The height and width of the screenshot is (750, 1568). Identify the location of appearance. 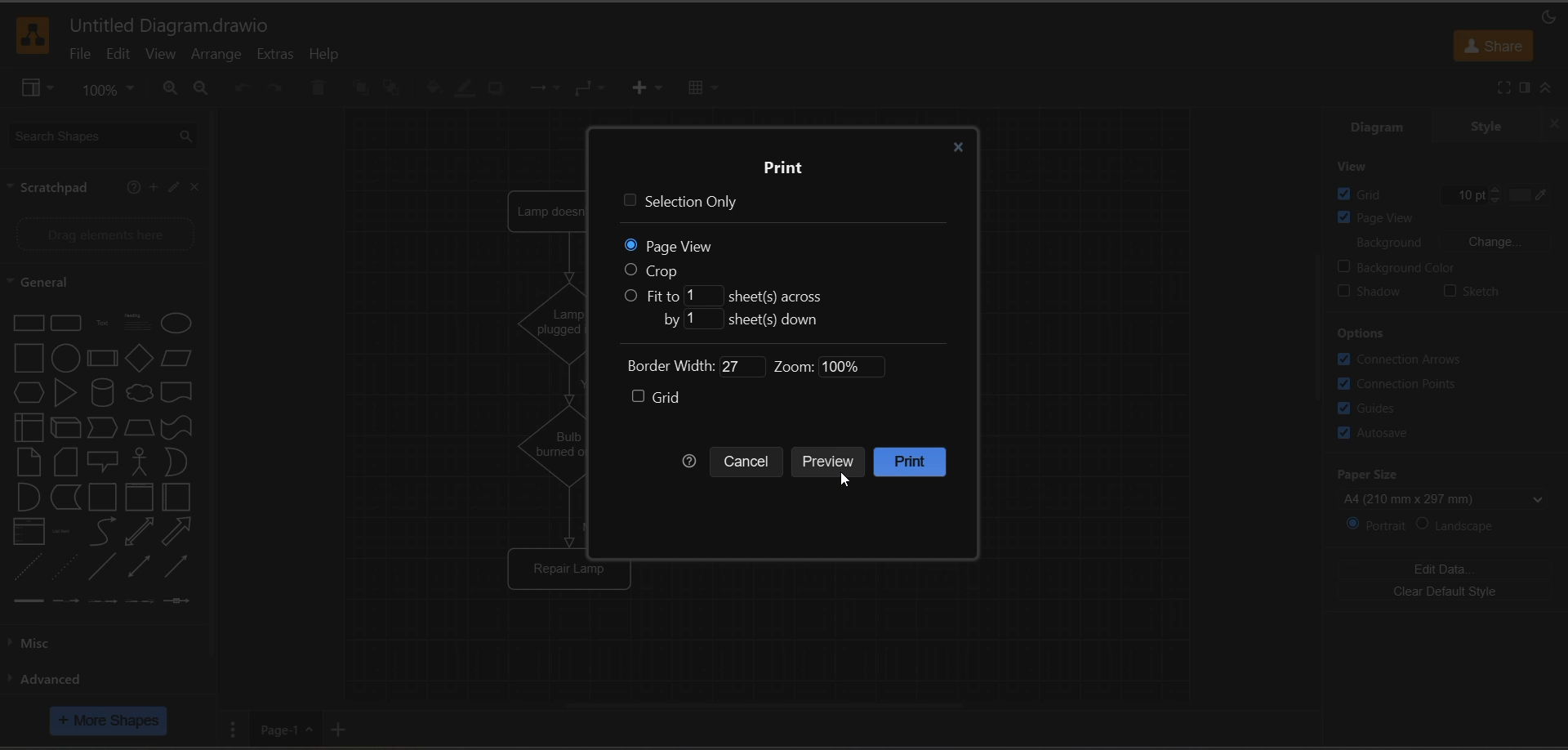
(1543, 16).